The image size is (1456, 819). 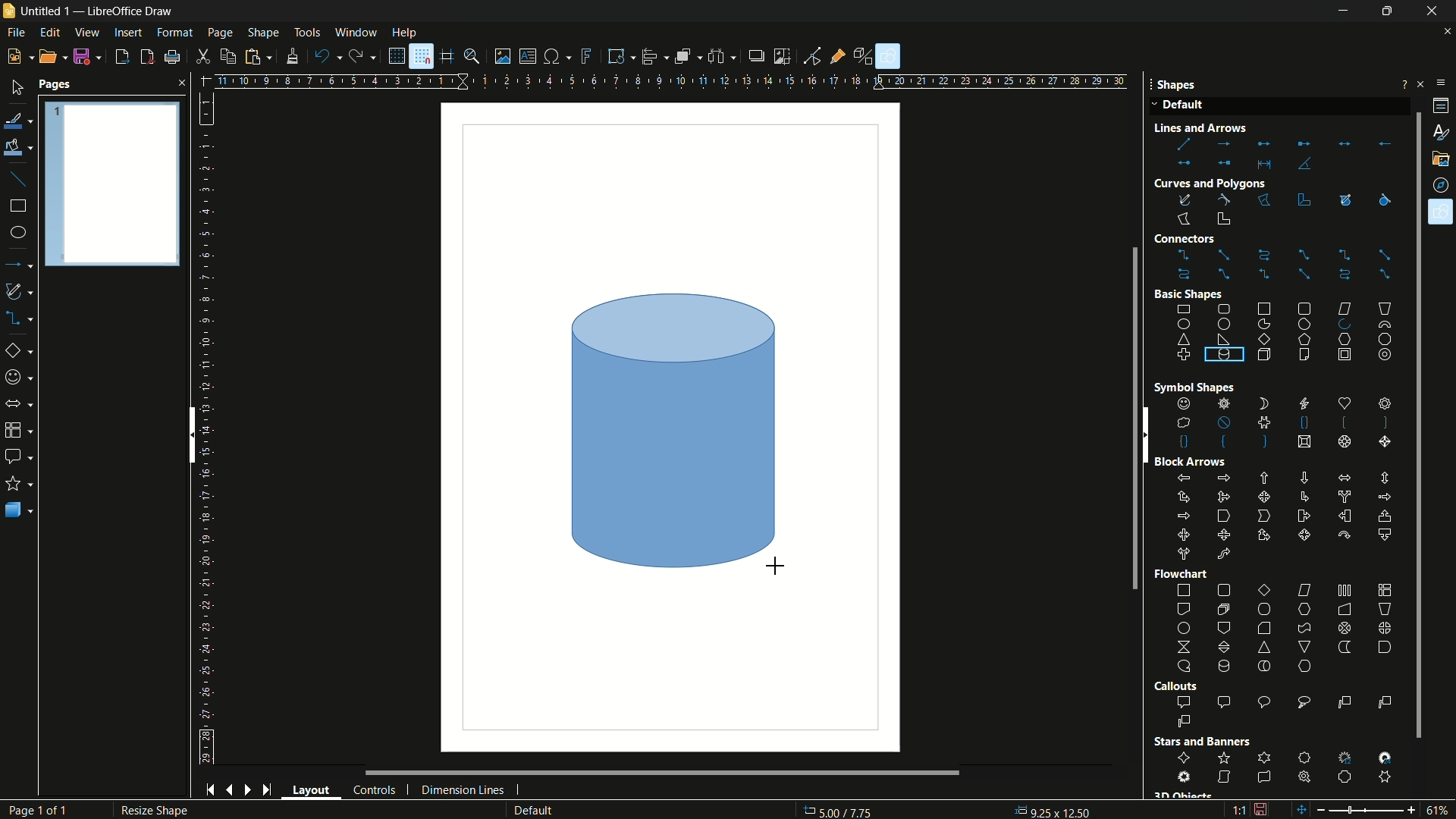 I want to click on stars and banners, so click(x=1289, y=767).